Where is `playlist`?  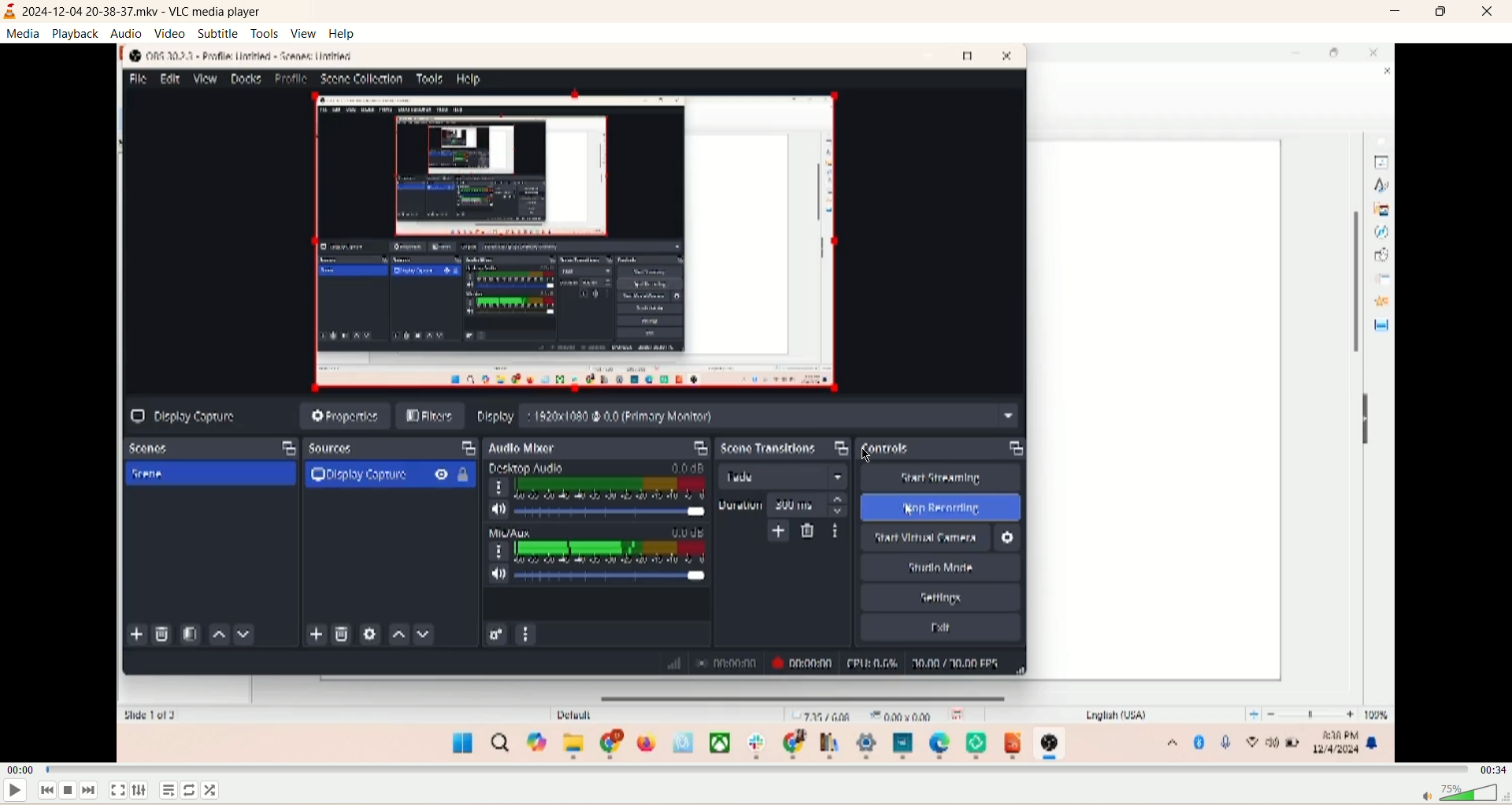
playlist is located at coordinates (169, 791).